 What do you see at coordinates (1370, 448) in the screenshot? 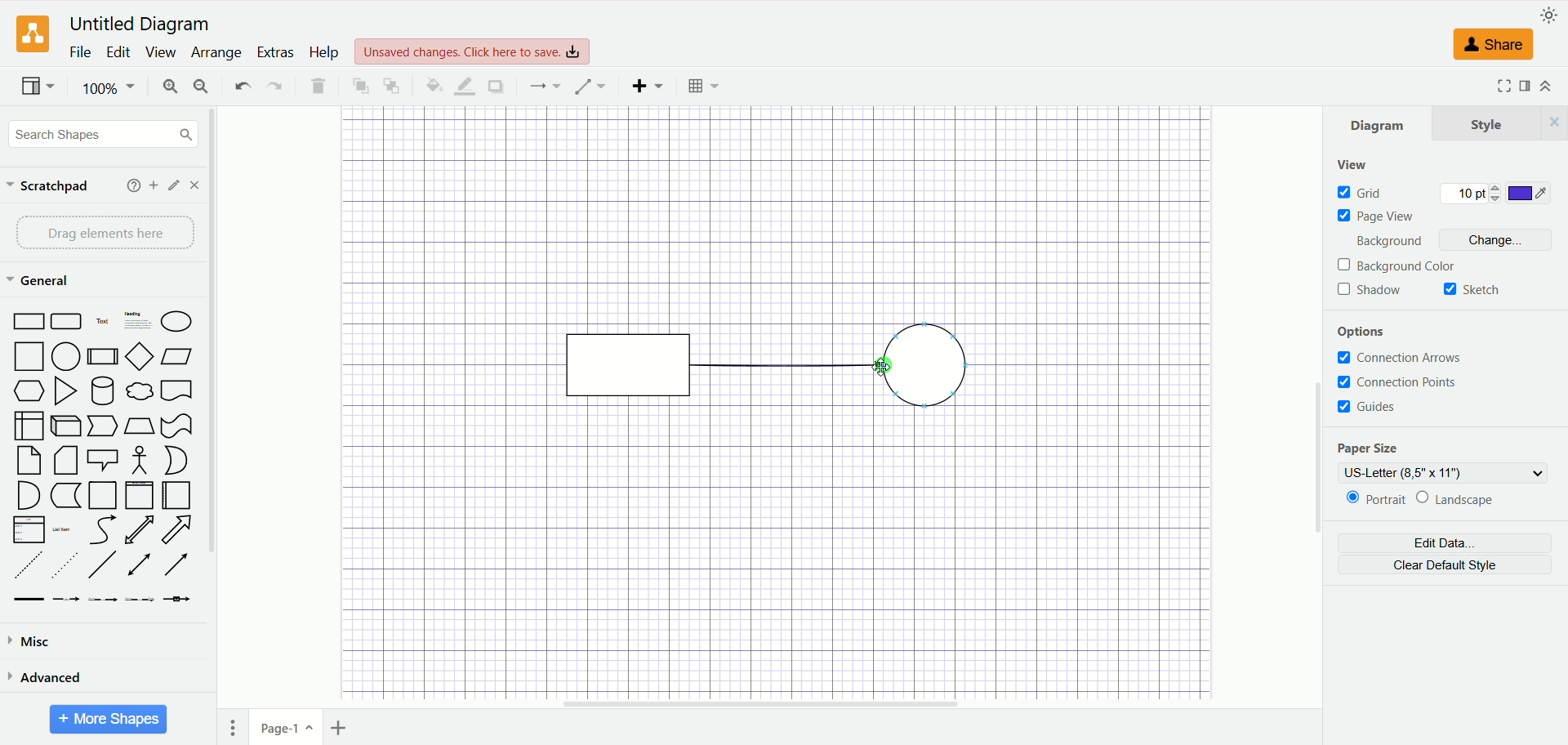
I see `paper size` at bounding box center [1370, 448].